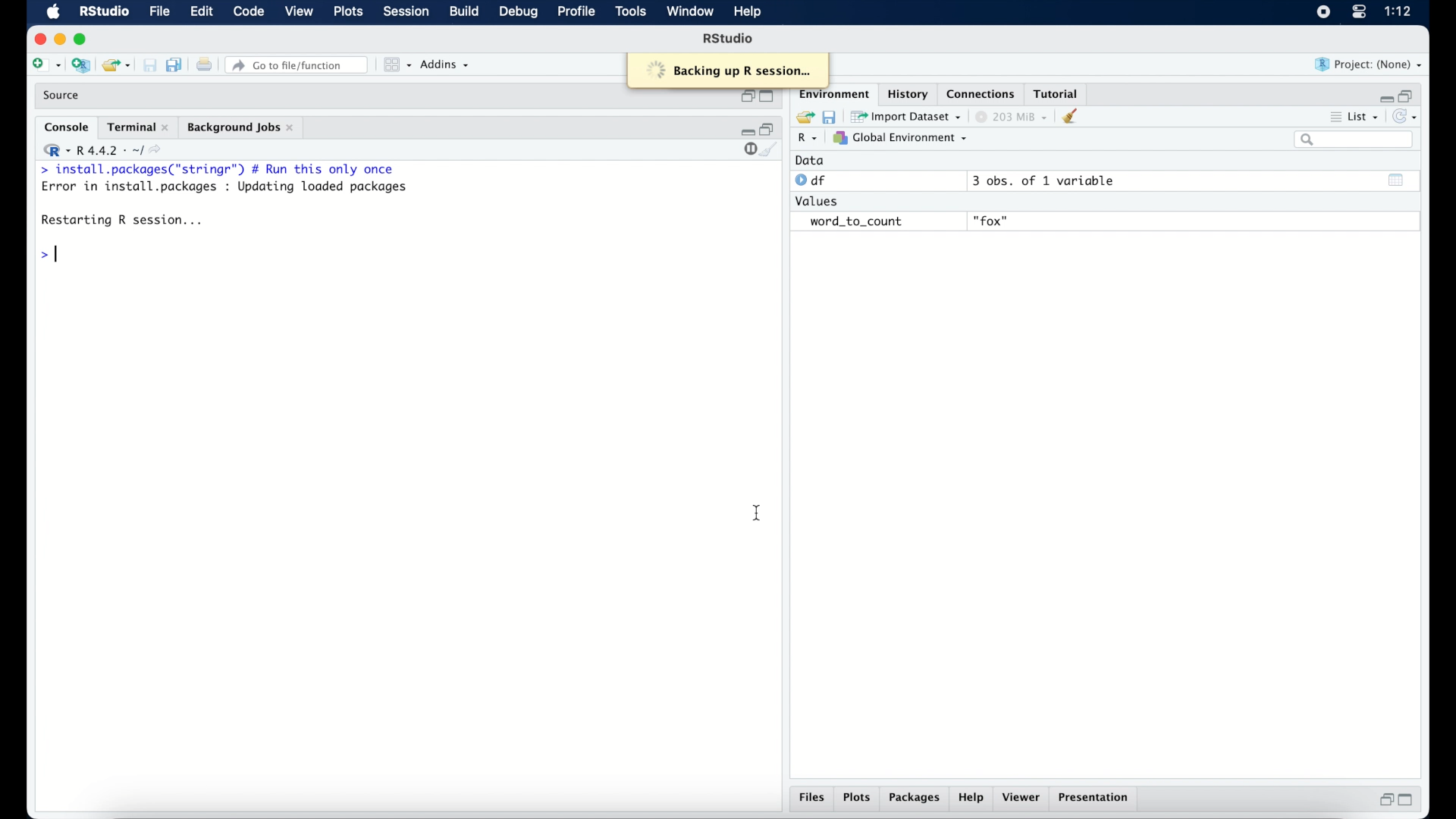 The height and width of the screenshot is (819, 1456). I want to click on refresh, so click(1407, 117).